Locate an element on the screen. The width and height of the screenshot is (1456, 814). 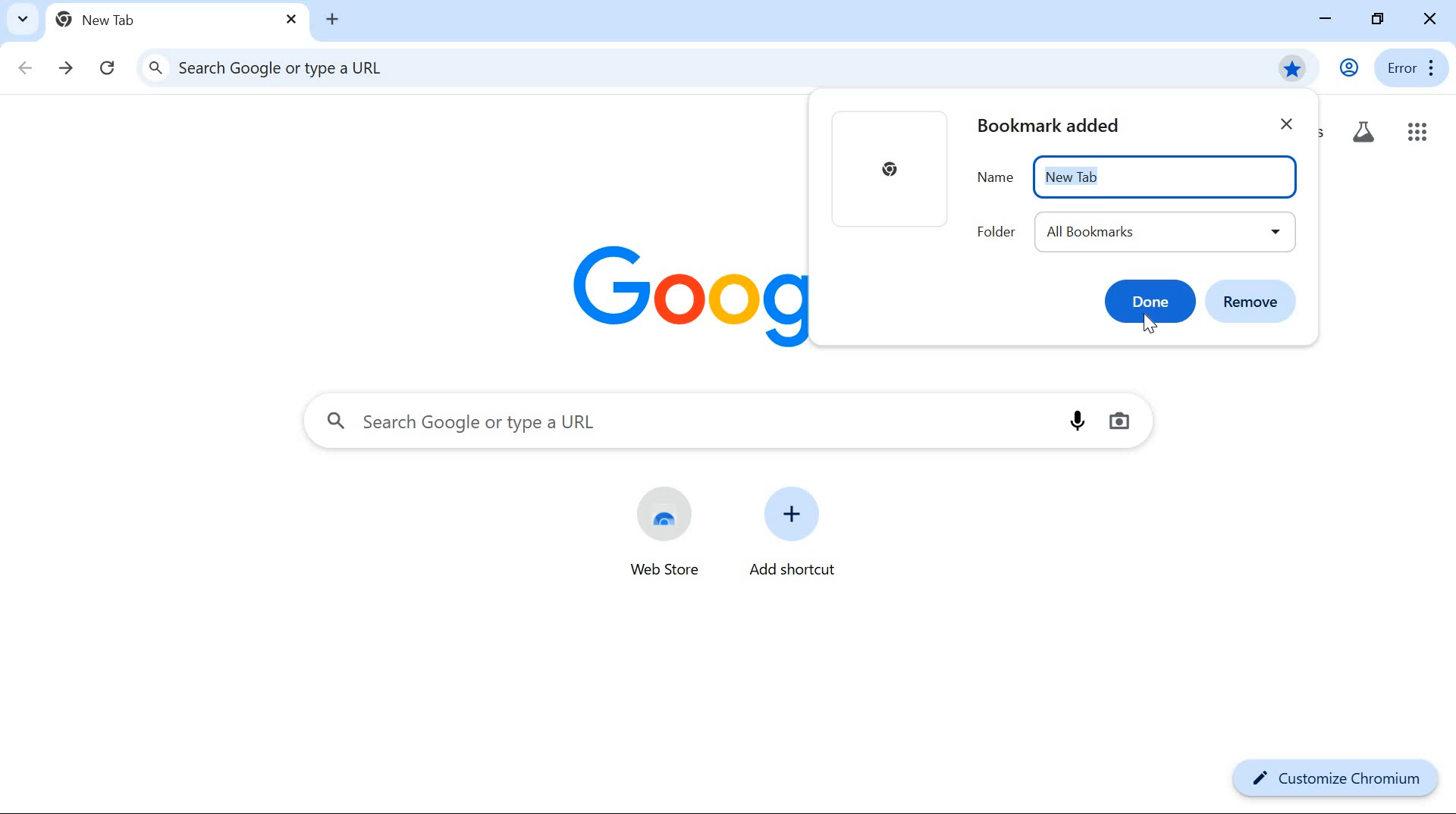
all bookmarks is located at coordinates (1165, 231).